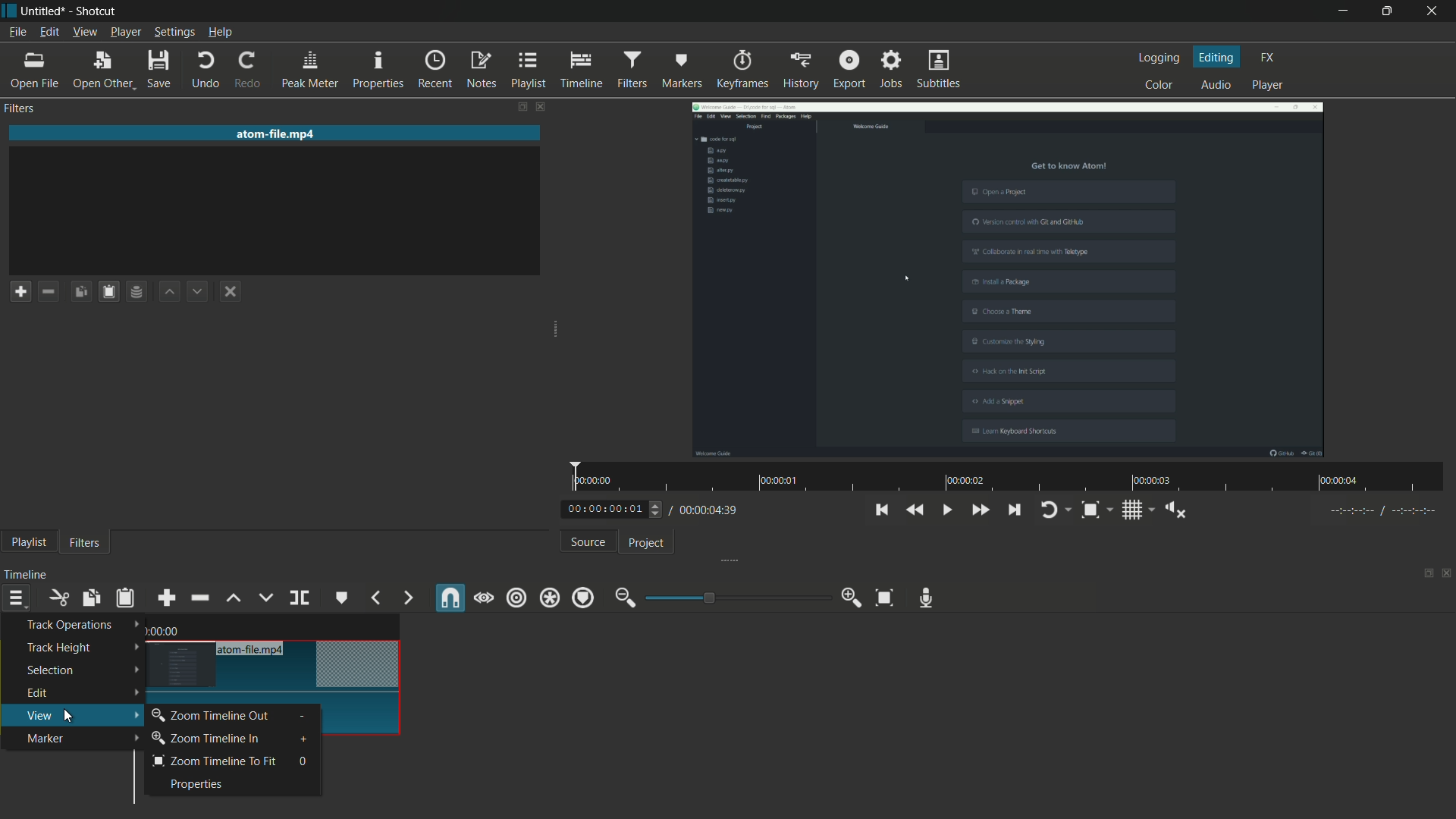  What do you see at coordinates (583, 598) in the screenshot?
I see `ripple markers` at bounding box center [583, 598].